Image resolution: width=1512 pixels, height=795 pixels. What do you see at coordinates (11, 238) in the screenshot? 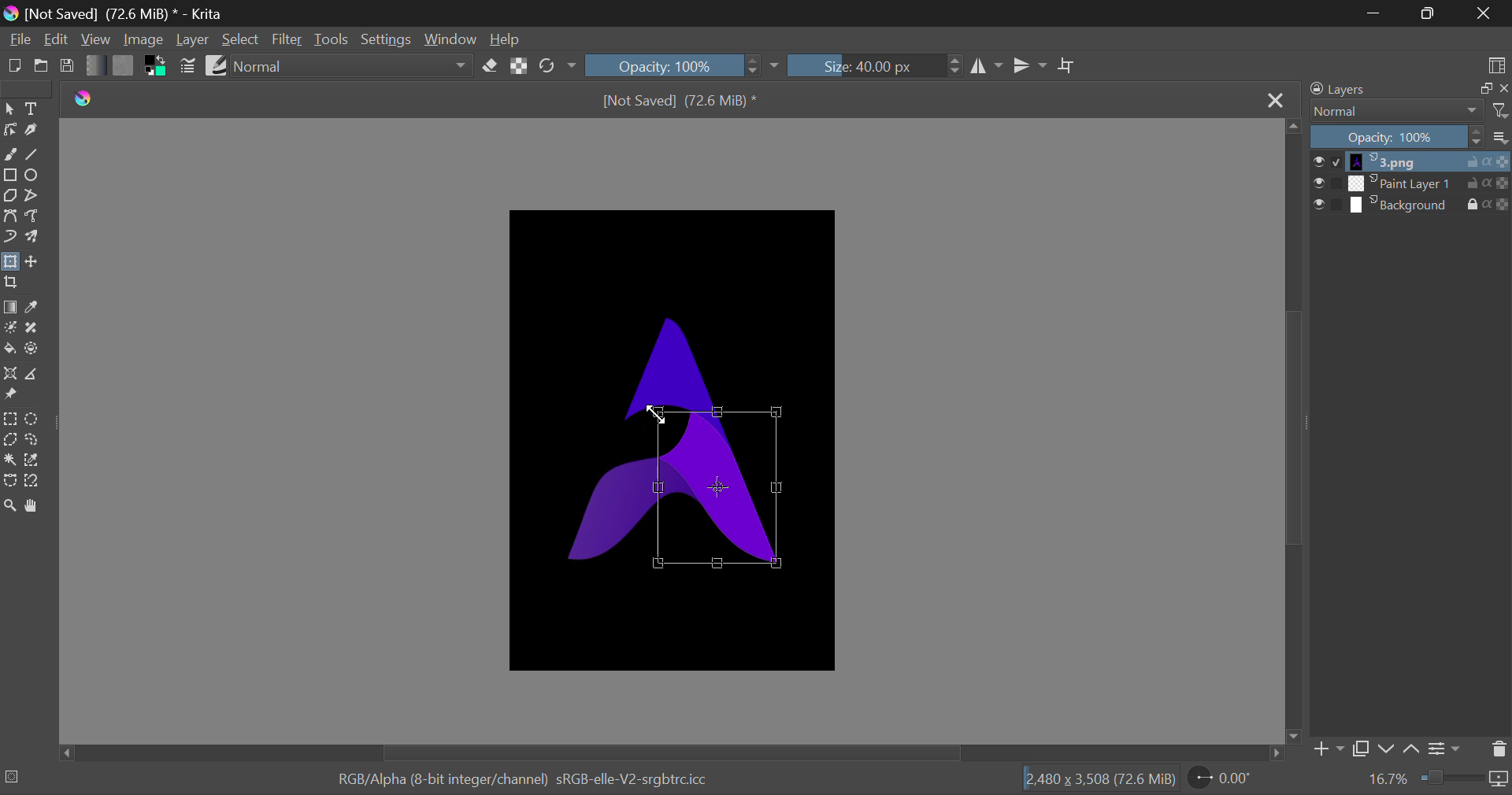
I see `Dynamic Brush Tool` at bounding box center [11, 238].